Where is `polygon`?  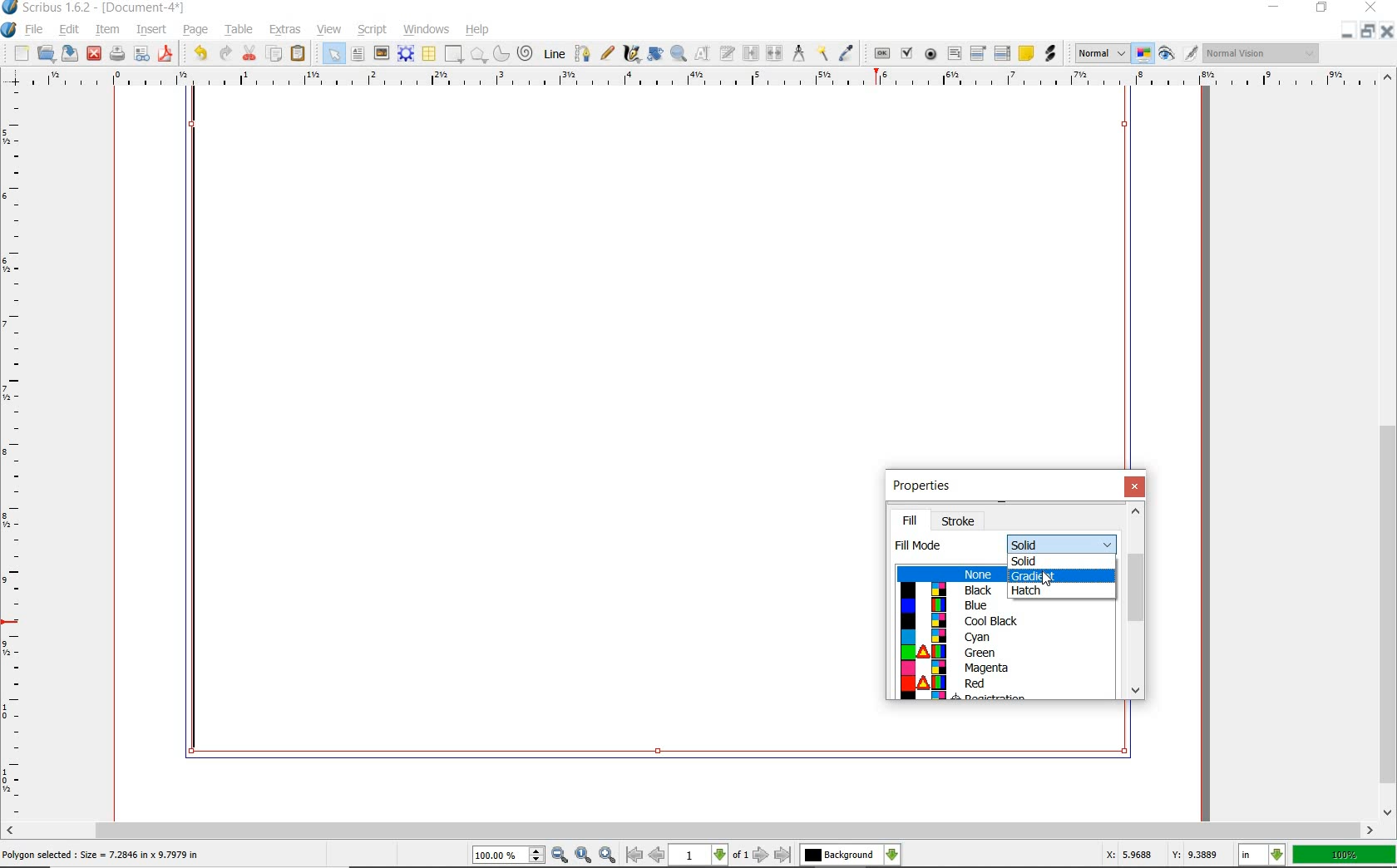 polygon is located at coordinates (479, 56).